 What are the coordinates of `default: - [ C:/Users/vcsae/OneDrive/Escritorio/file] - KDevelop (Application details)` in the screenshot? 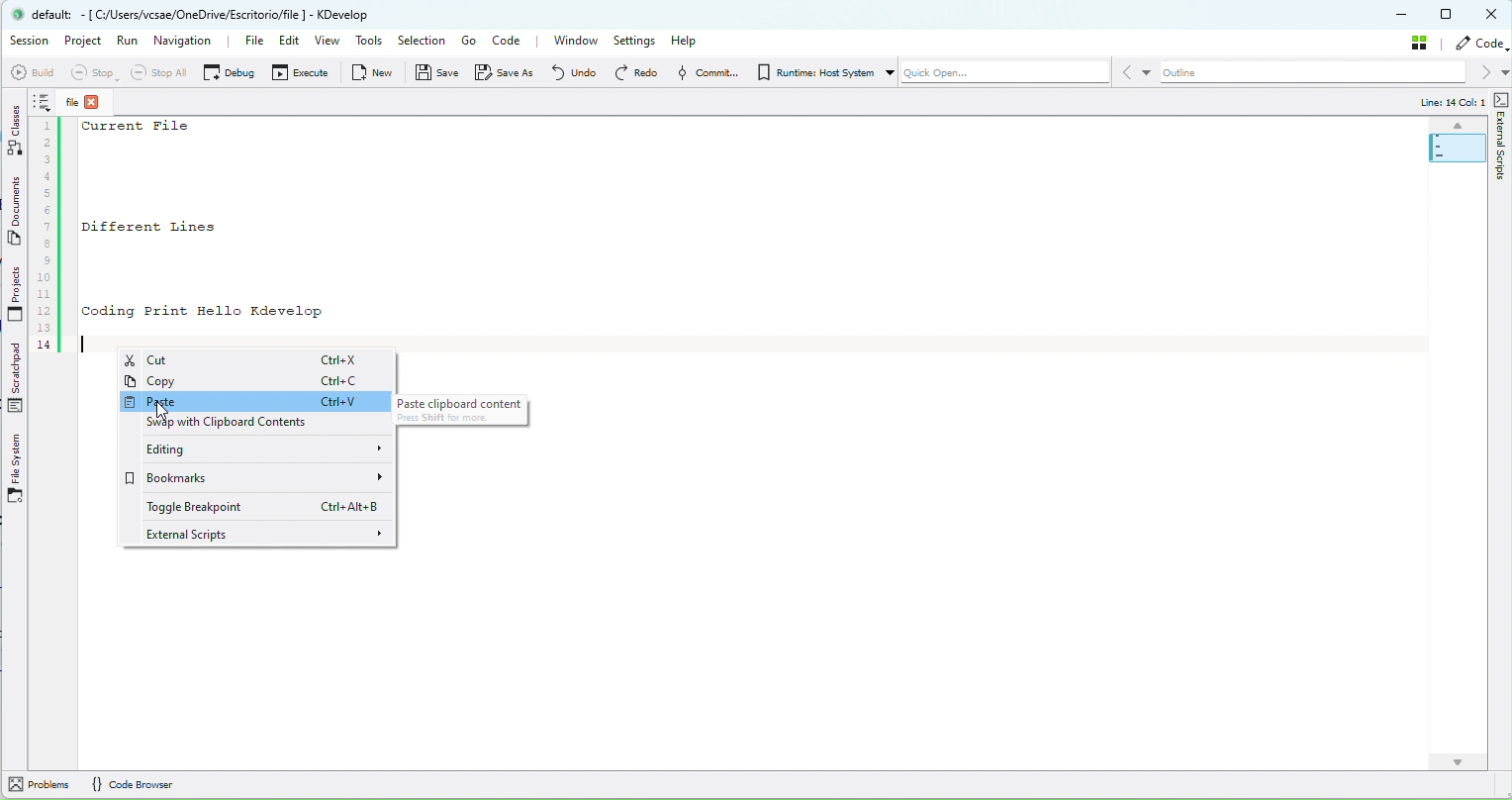 It's located at (207, 14).